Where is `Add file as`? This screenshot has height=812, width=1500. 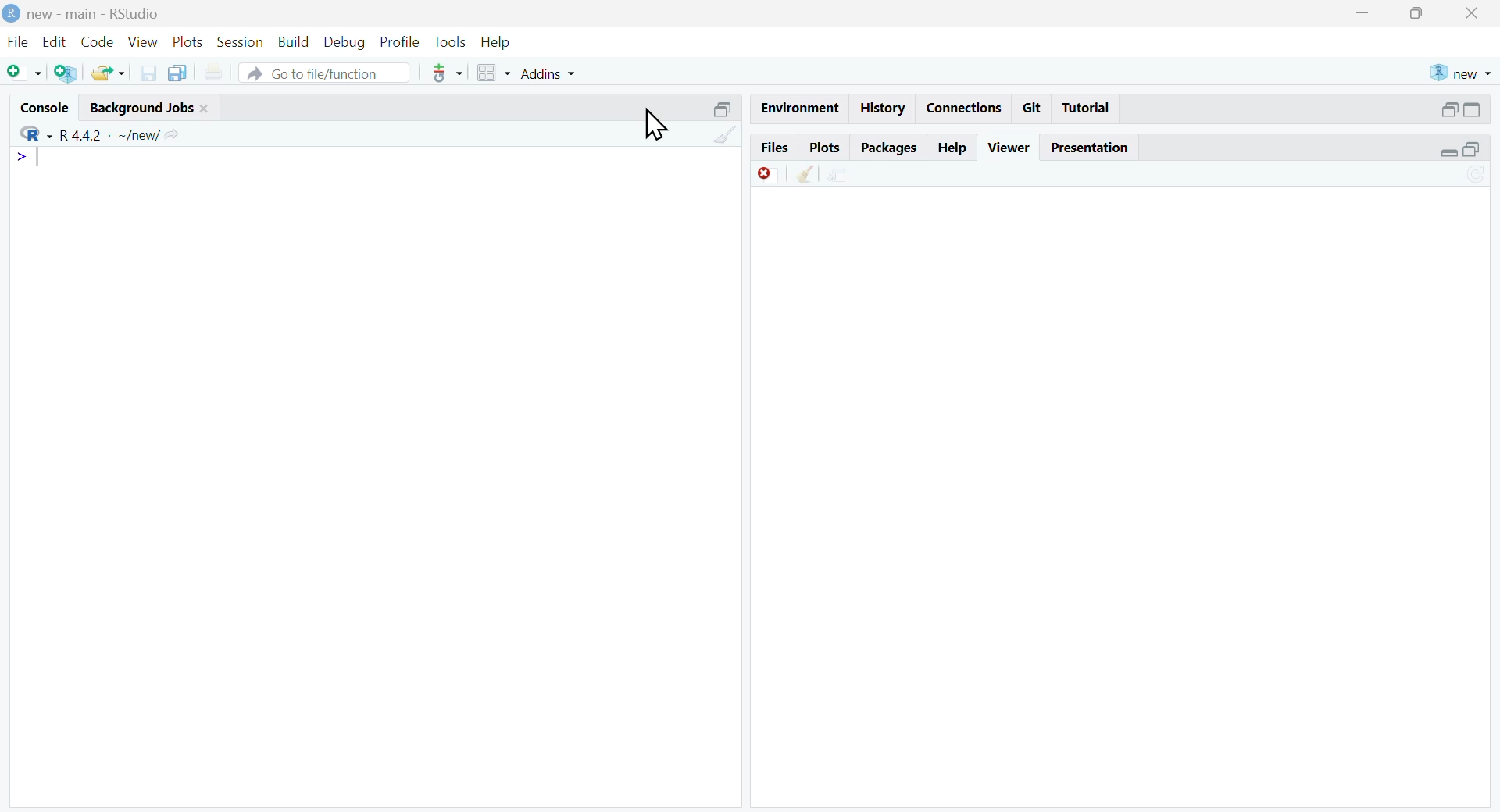
Add file as is located at coordinates (25, 73).